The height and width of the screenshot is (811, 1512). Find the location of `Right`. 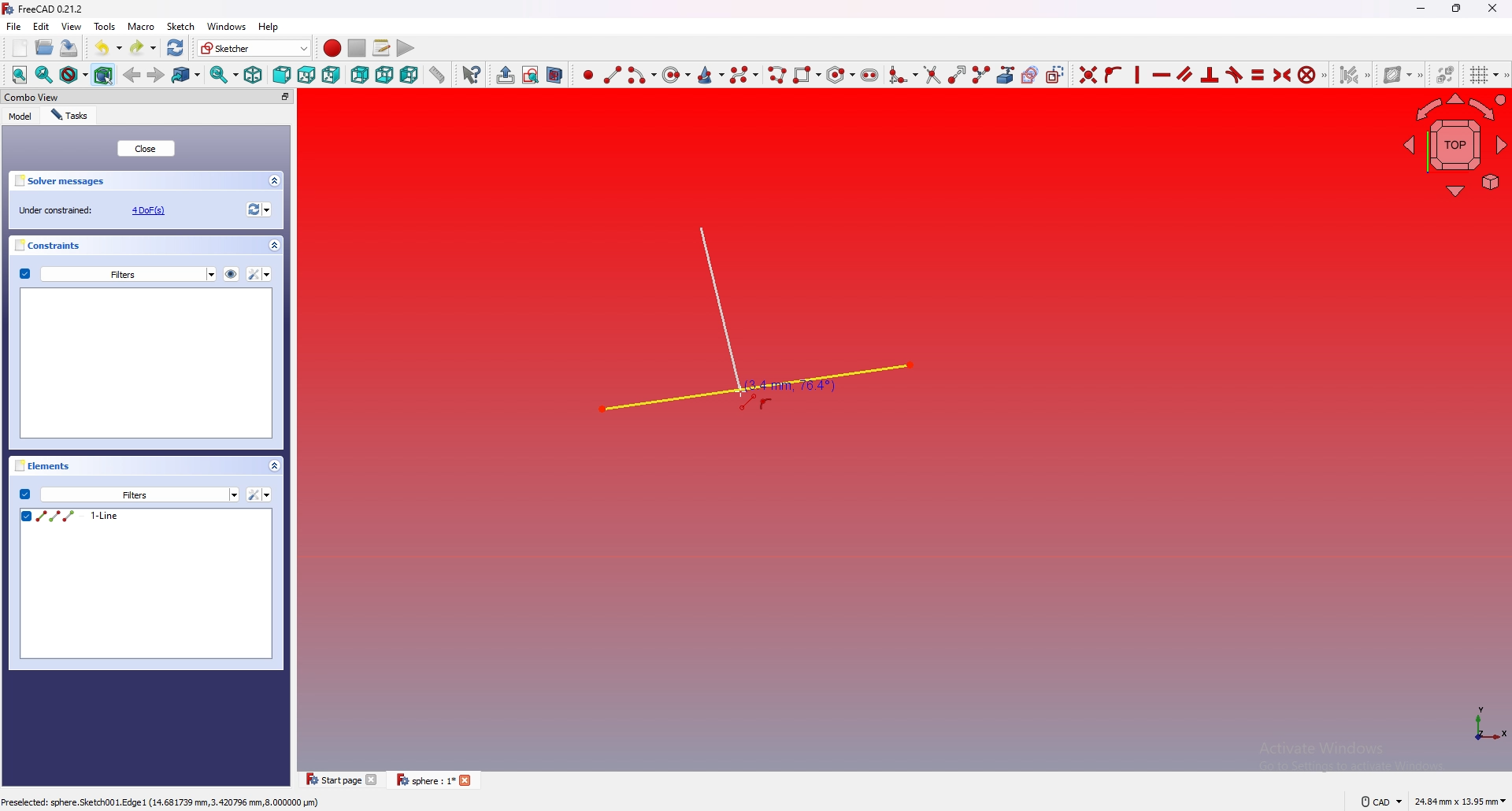

Right is located at coordinates (332, 75).